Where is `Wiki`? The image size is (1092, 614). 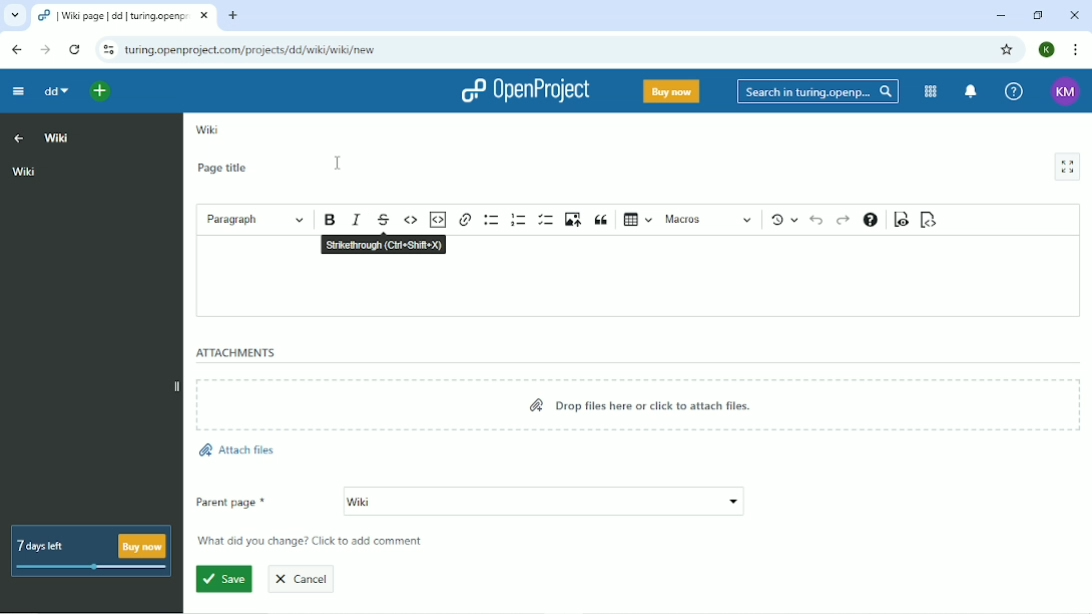
Wiki is located at coordinates (92, 169).